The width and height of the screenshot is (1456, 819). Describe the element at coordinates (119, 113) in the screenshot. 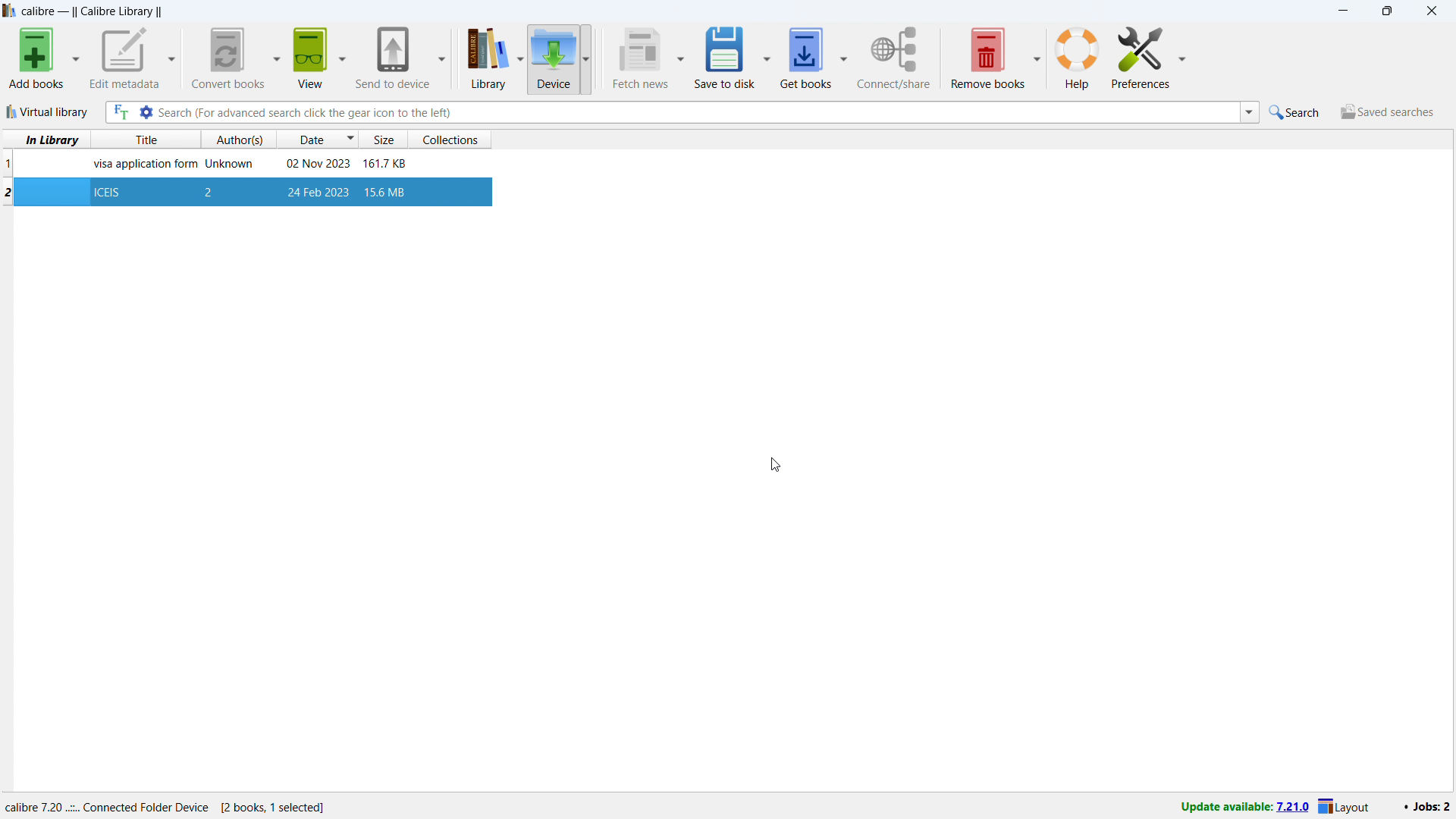

I see `full text search` at that location.